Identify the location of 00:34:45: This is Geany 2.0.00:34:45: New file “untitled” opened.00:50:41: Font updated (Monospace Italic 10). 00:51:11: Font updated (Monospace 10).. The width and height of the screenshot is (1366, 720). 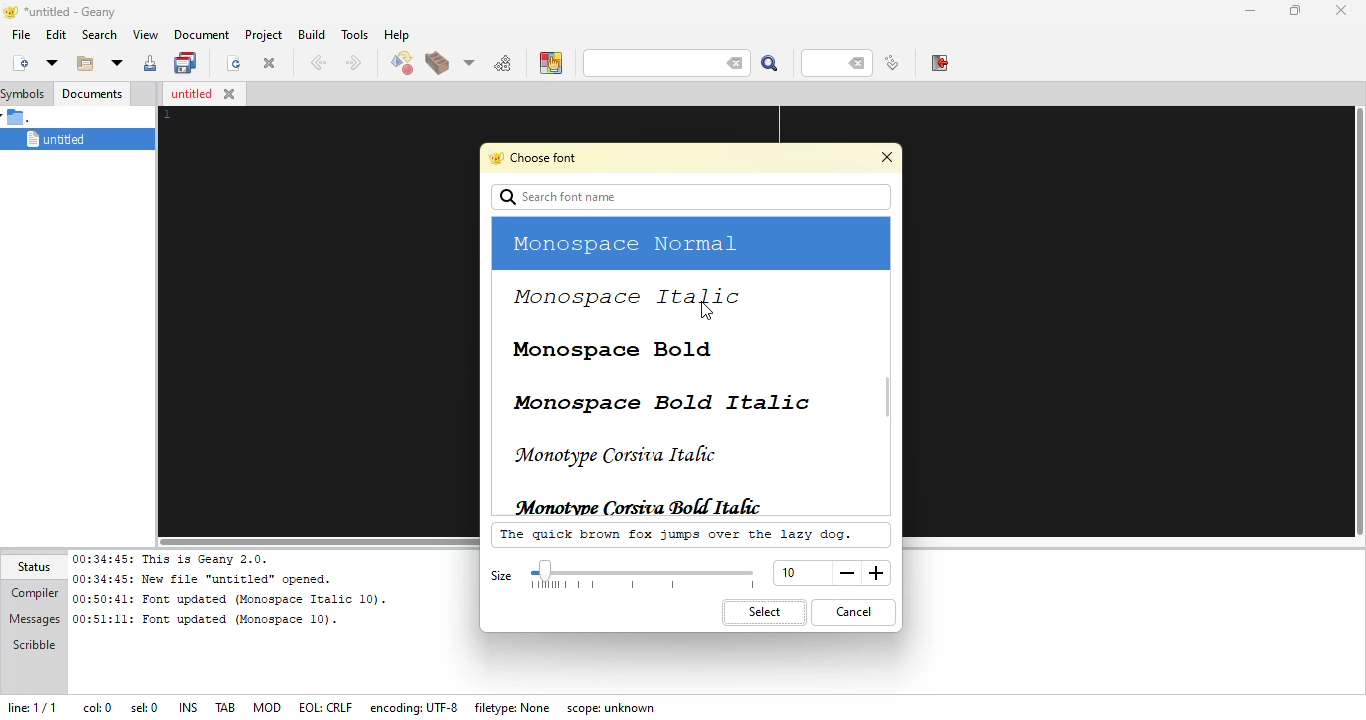
(228, 589).